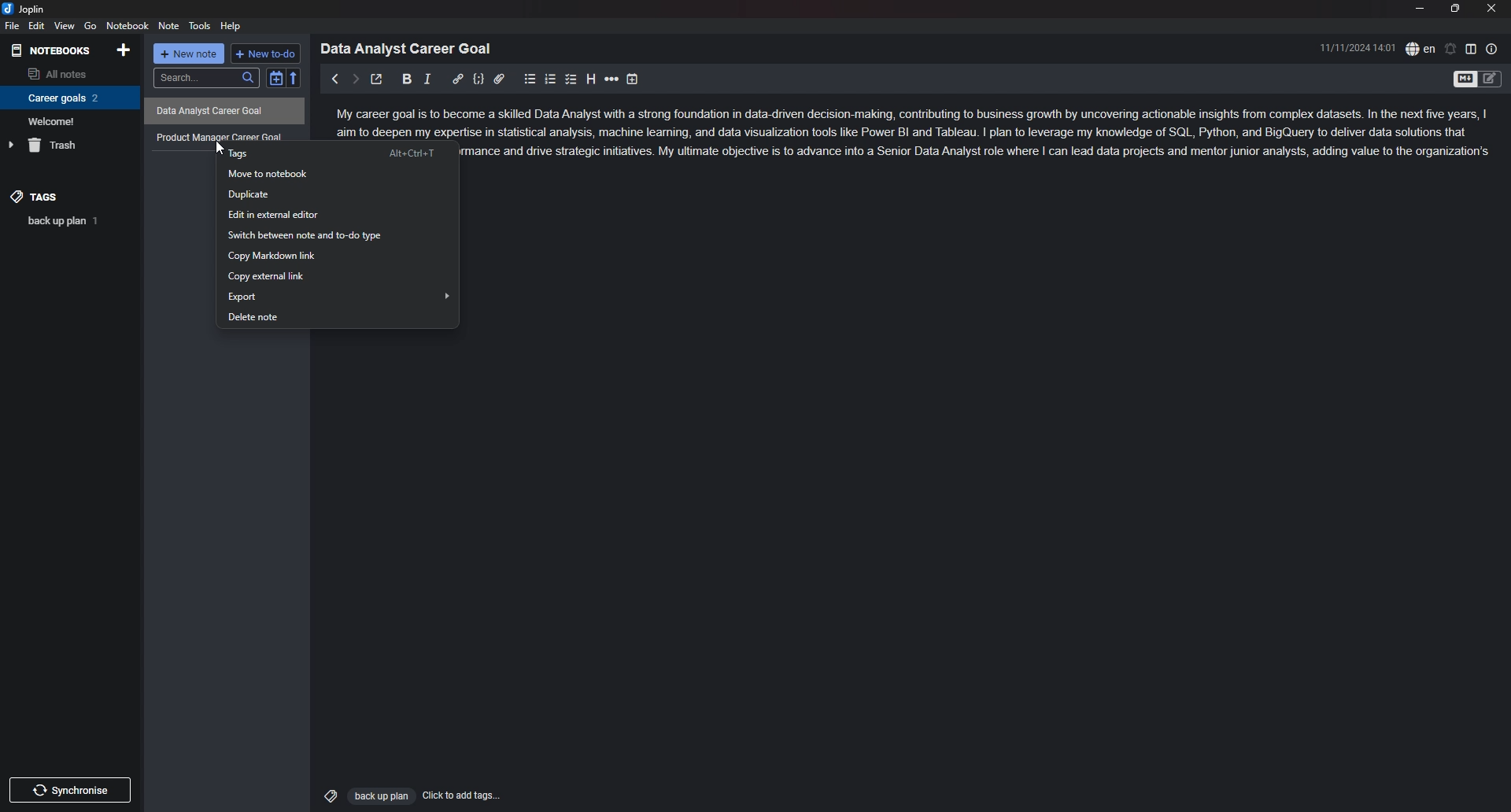 Image resolution: width=1511 pixels, height=812 pixels. What do you see at coordinates (982, 137) in the screenshot?
I see `ome a skilled Data Analyst with a strong foundation in data-driven decision-making, contributing to business growth by uncovering actionable insights from complex datasets. In the next five years, |
ise in statistical analysis, machine leaning, and data visualization tools like Power BI and Tableau. | pian to leverage my knowledge of SQL, Python, and BigQuery to deliver data solutions that
mance and drive strategic initiatives. My ultimate objective is to advance into a Senior Data Analyst role where | can lead data projects and mentor junior analysts, adding value to the organization's` at bounding box center [982, 137].